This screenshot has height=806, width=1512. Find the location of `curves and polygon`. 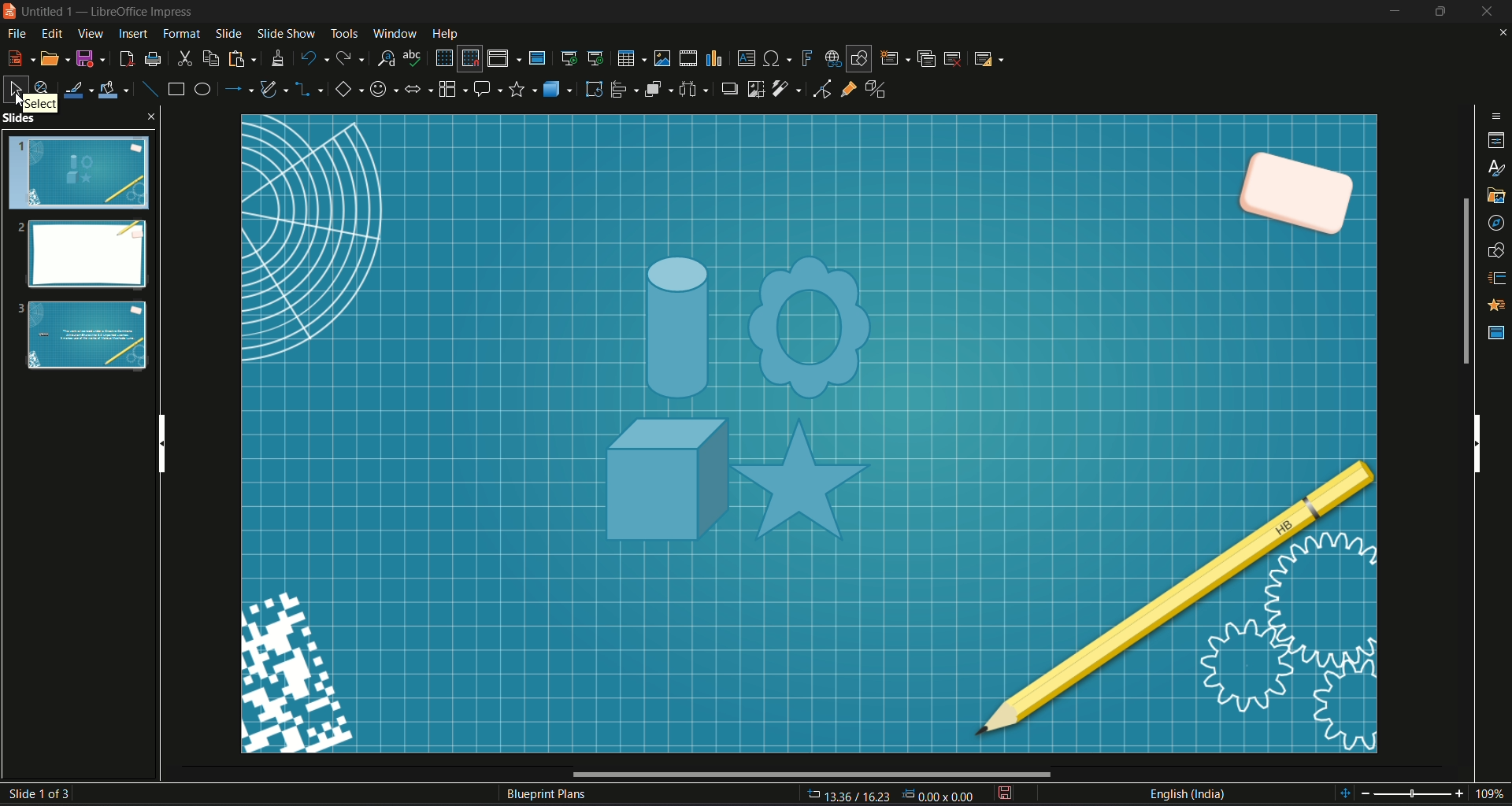

curves and polygon is located at coordinates (276, 90).